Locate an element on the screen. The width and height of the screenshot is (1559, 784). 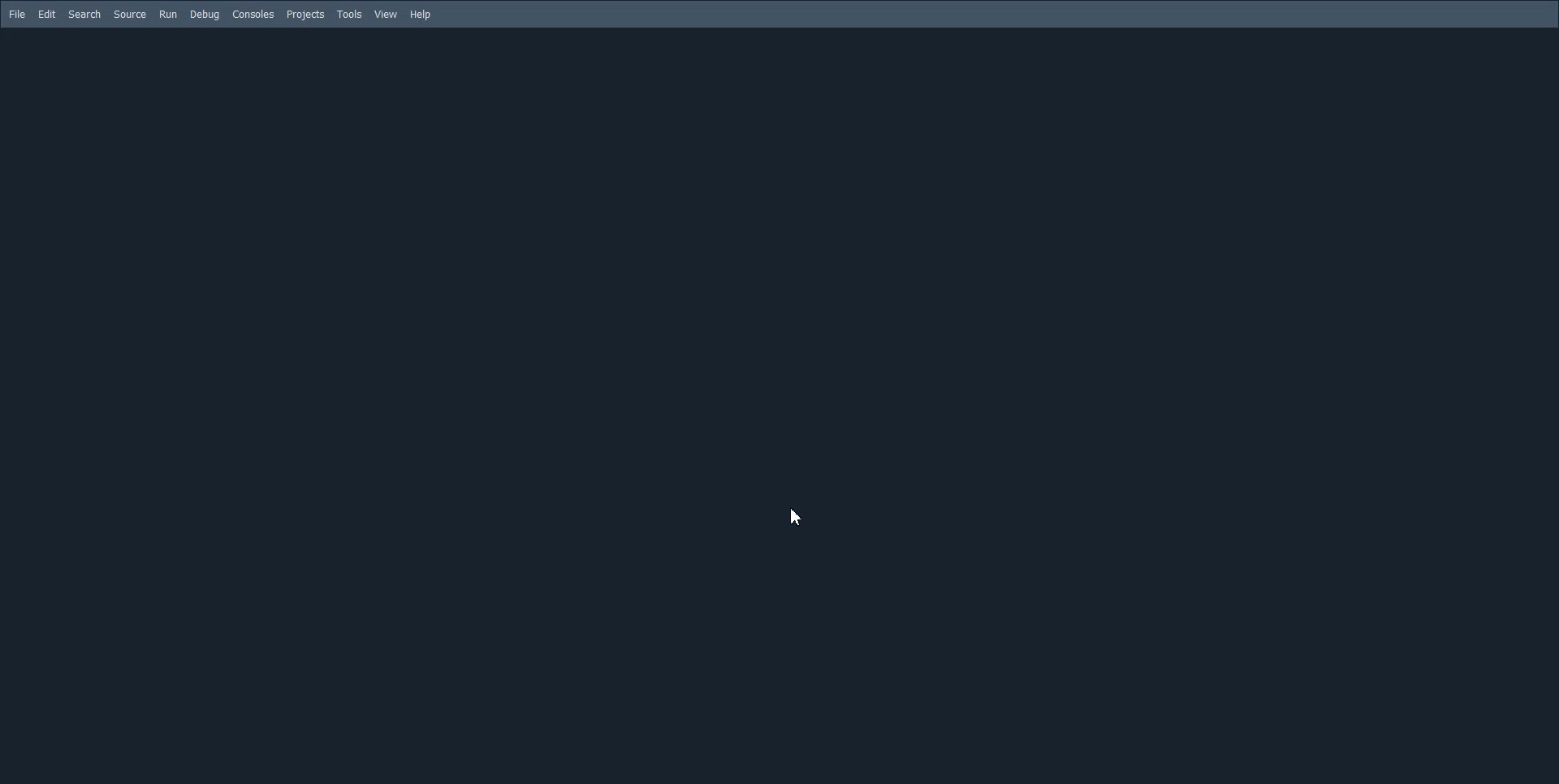
Tools is located at coordinates (351, 14).